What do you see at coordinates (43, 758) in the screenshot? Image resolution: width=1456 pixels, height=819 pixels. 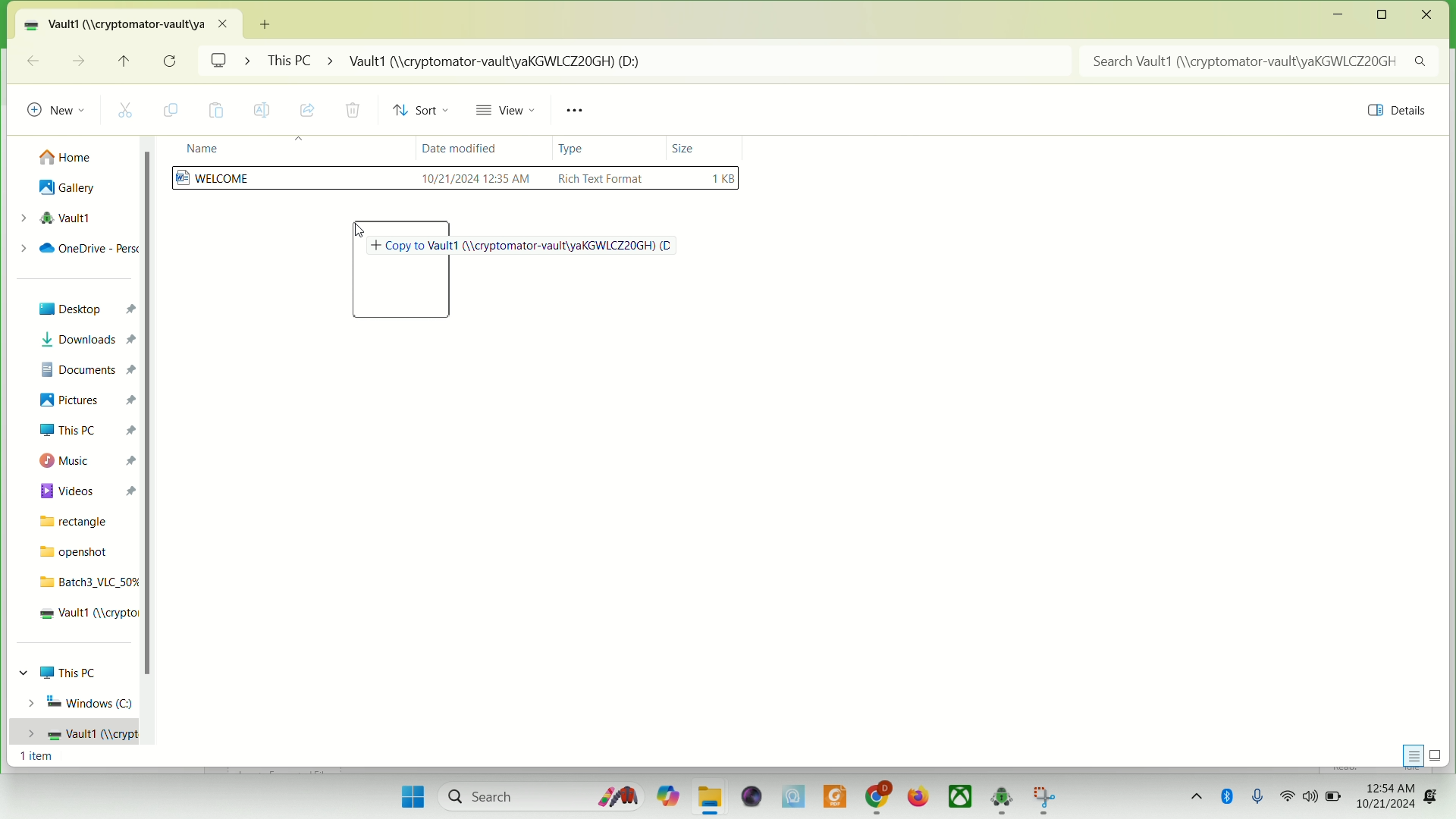 I see `1 item` at bounding box center [43, 758].